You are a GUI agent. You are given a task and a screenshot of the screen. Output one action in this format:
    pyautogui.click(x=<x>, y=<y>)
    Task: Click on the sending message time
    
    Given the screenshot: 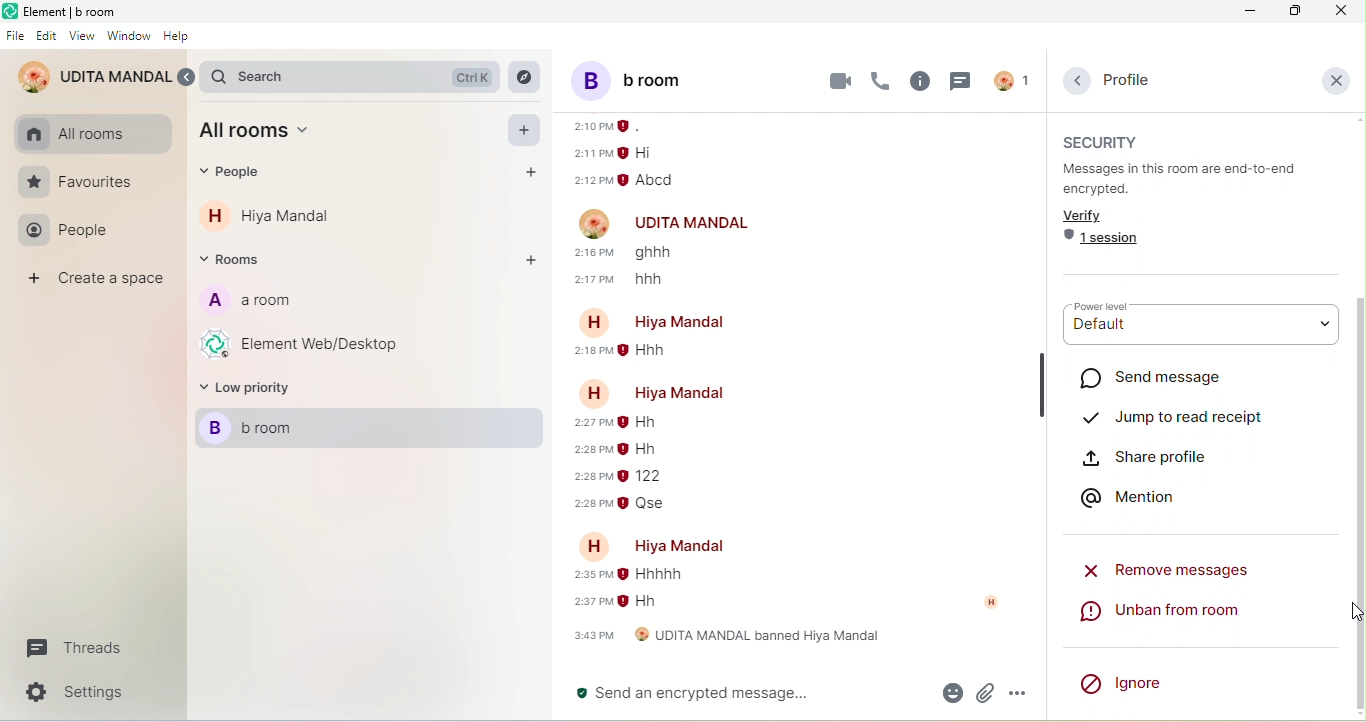 What is the action you would take?
    pyautogui.click(x=590, y=353)
    